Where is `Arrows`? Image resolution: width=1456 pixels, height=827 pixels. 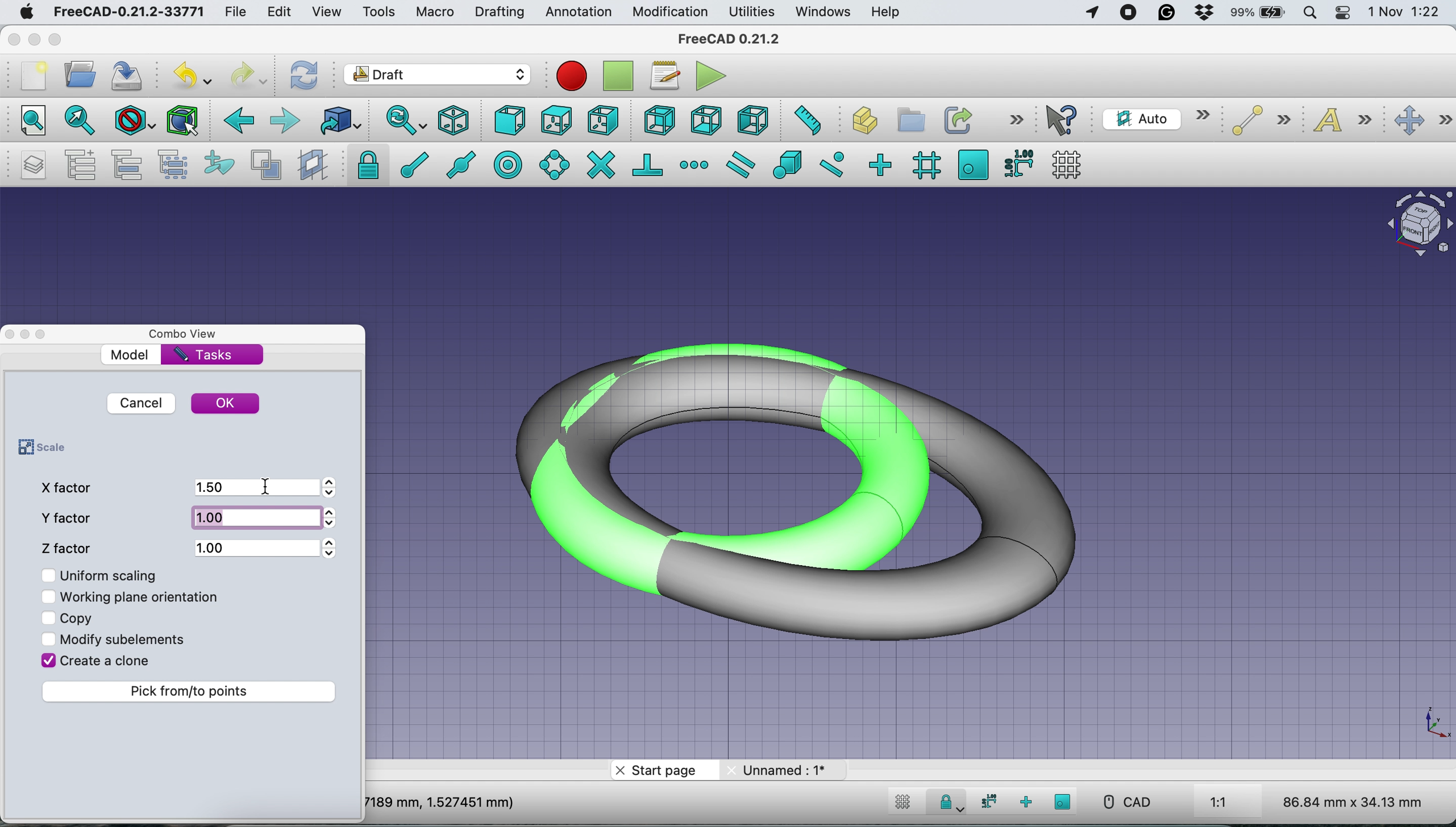
Arrows is located at coordinates (330, 548).